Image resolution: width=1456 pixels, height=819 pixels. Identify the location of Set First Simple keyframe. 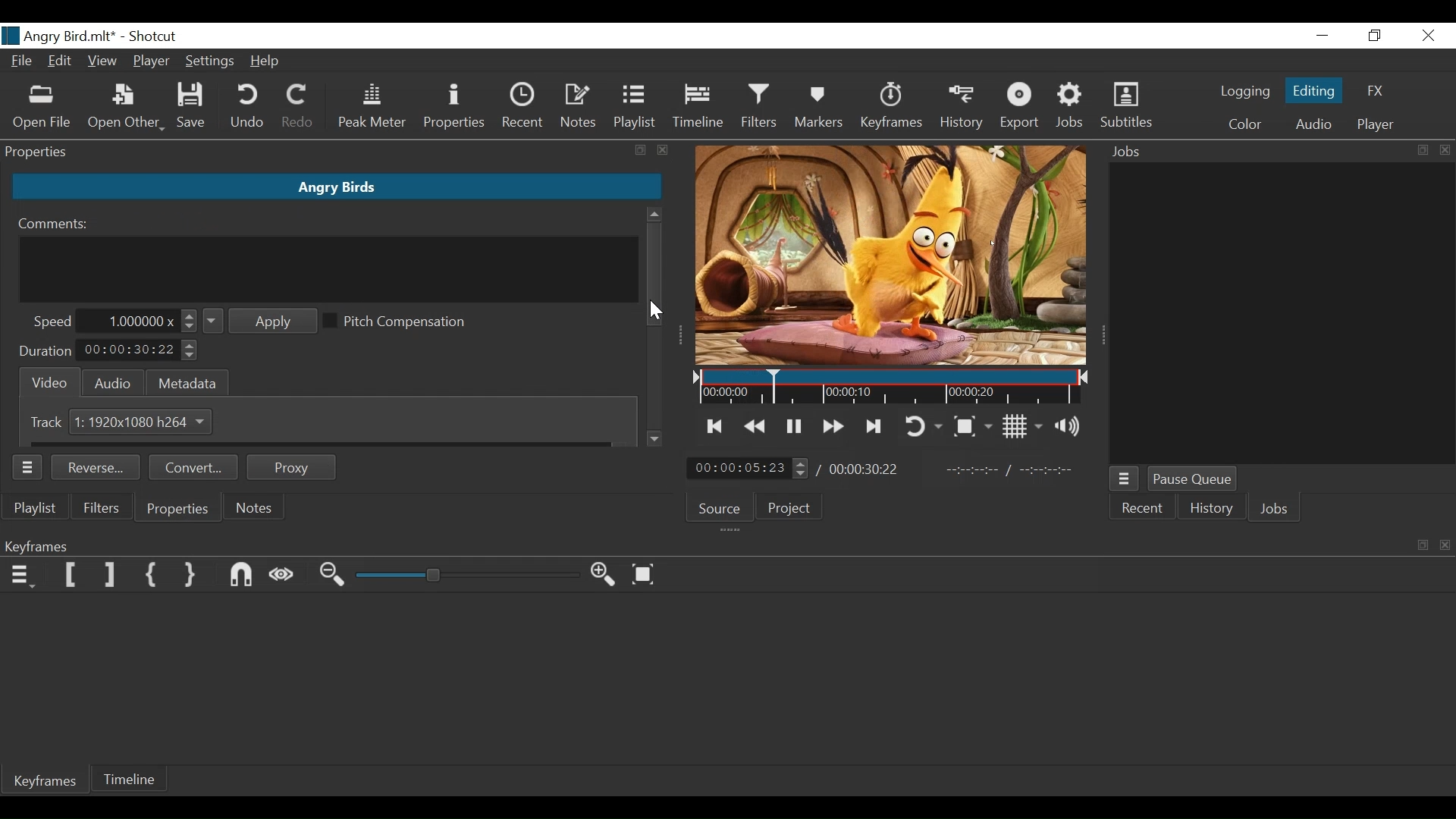
(152, 576).